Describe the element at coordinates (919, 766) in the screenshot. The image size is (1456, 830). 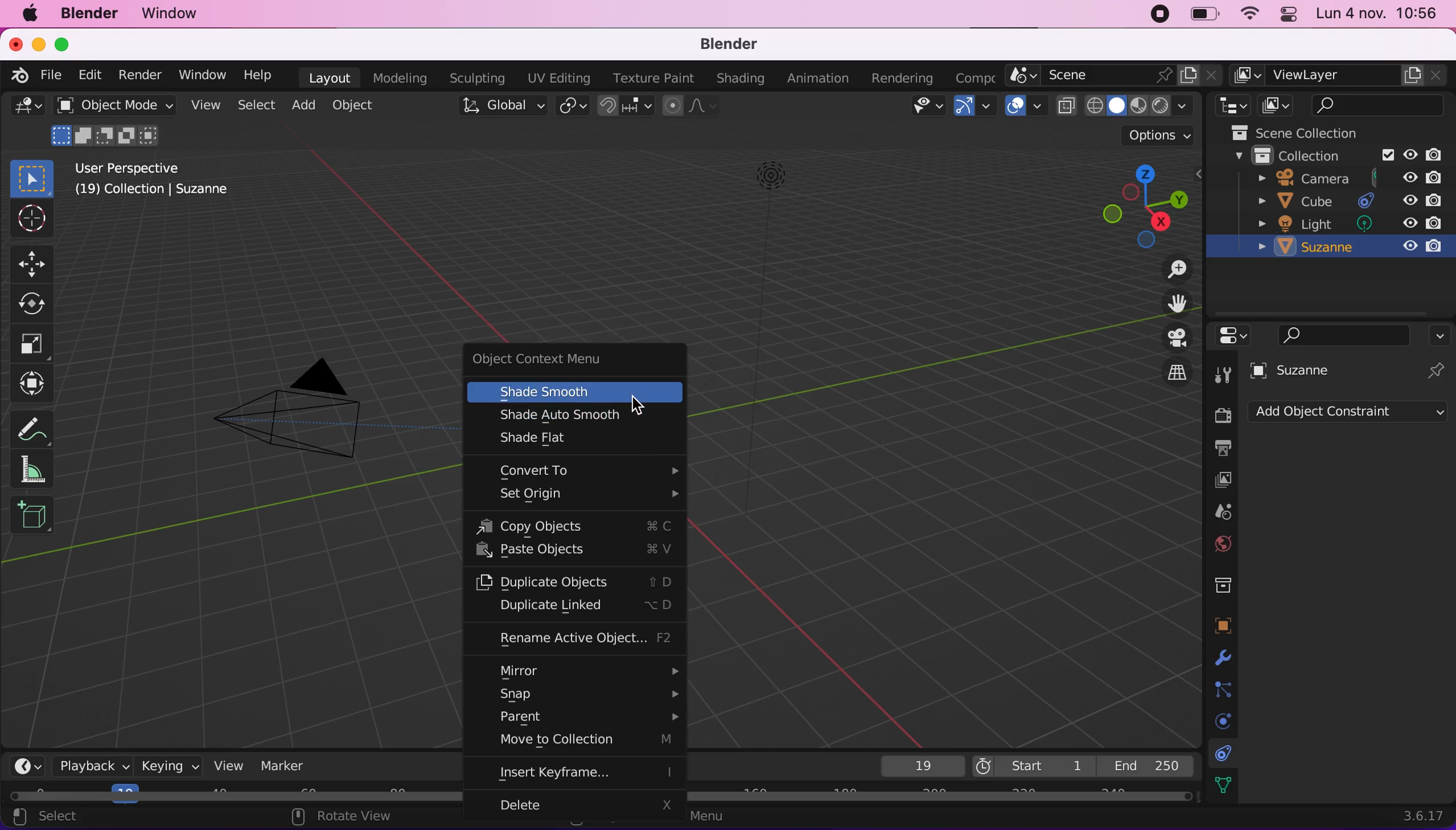
I see `current frame` at that location.